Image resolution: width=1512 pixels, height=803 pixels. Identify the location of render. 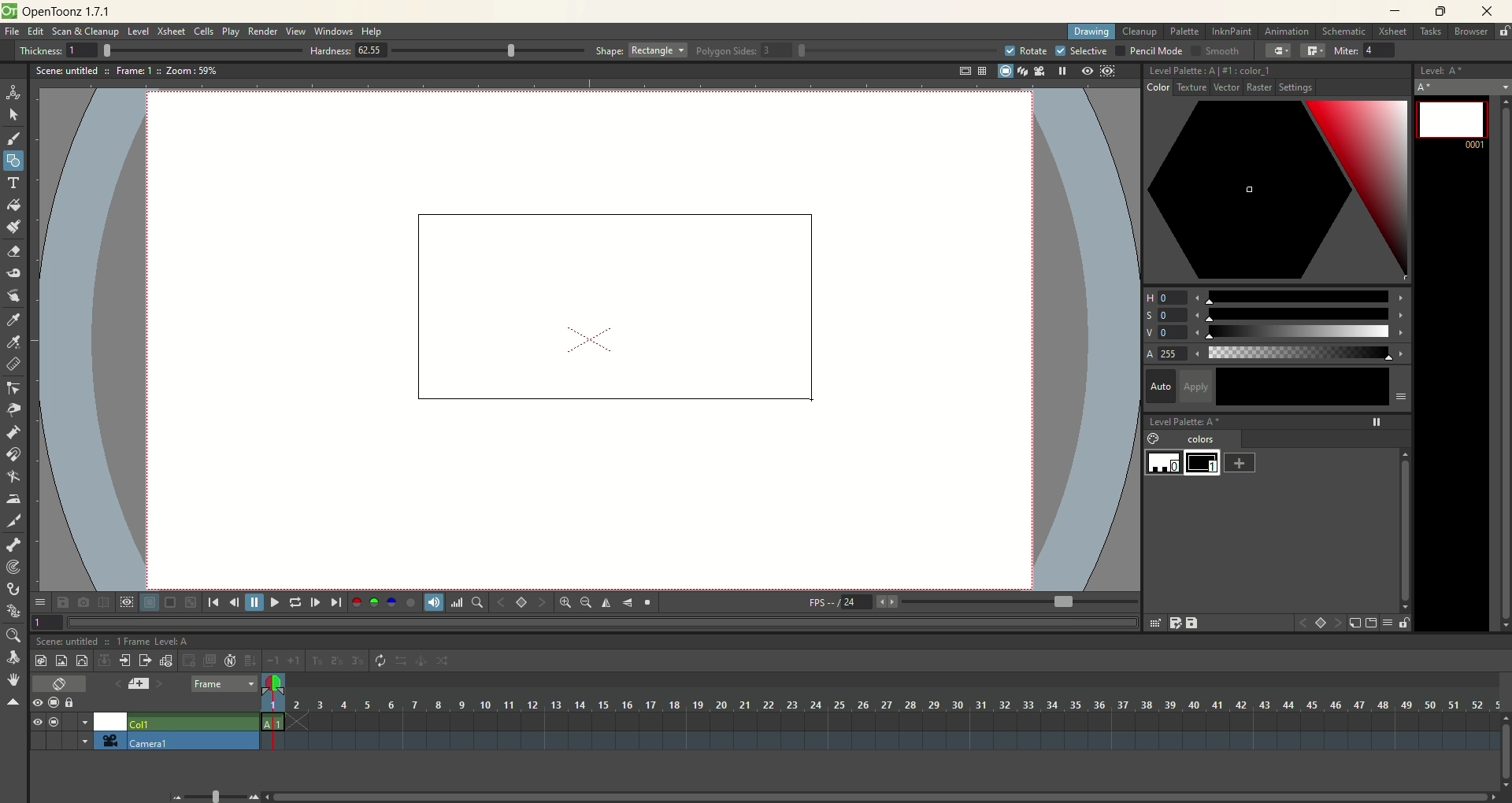
(264, 32).